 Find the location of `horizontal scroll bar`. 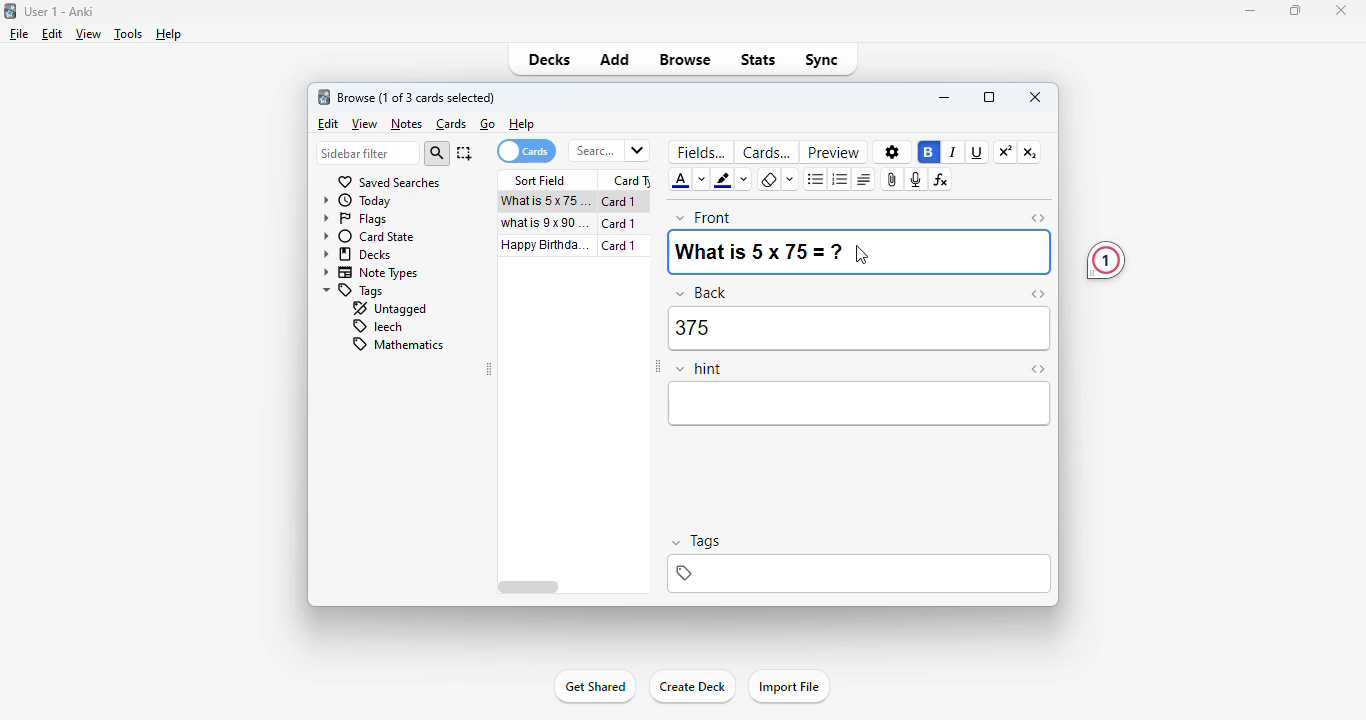

horizontal scroll bar is located at coordinates (529, 587).